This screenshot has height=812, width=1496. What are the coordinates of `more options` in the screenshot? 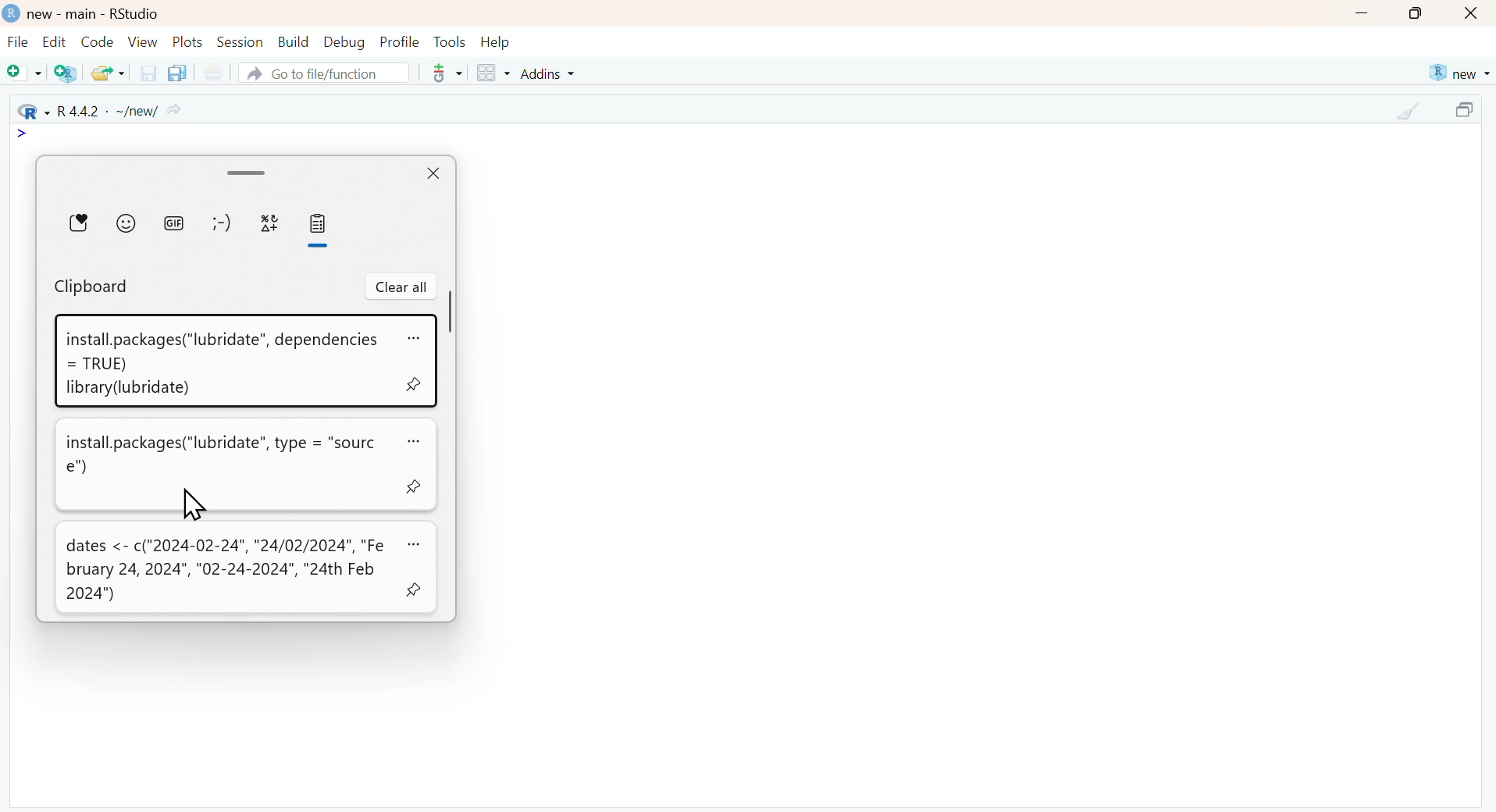 It's located at (414, 337).